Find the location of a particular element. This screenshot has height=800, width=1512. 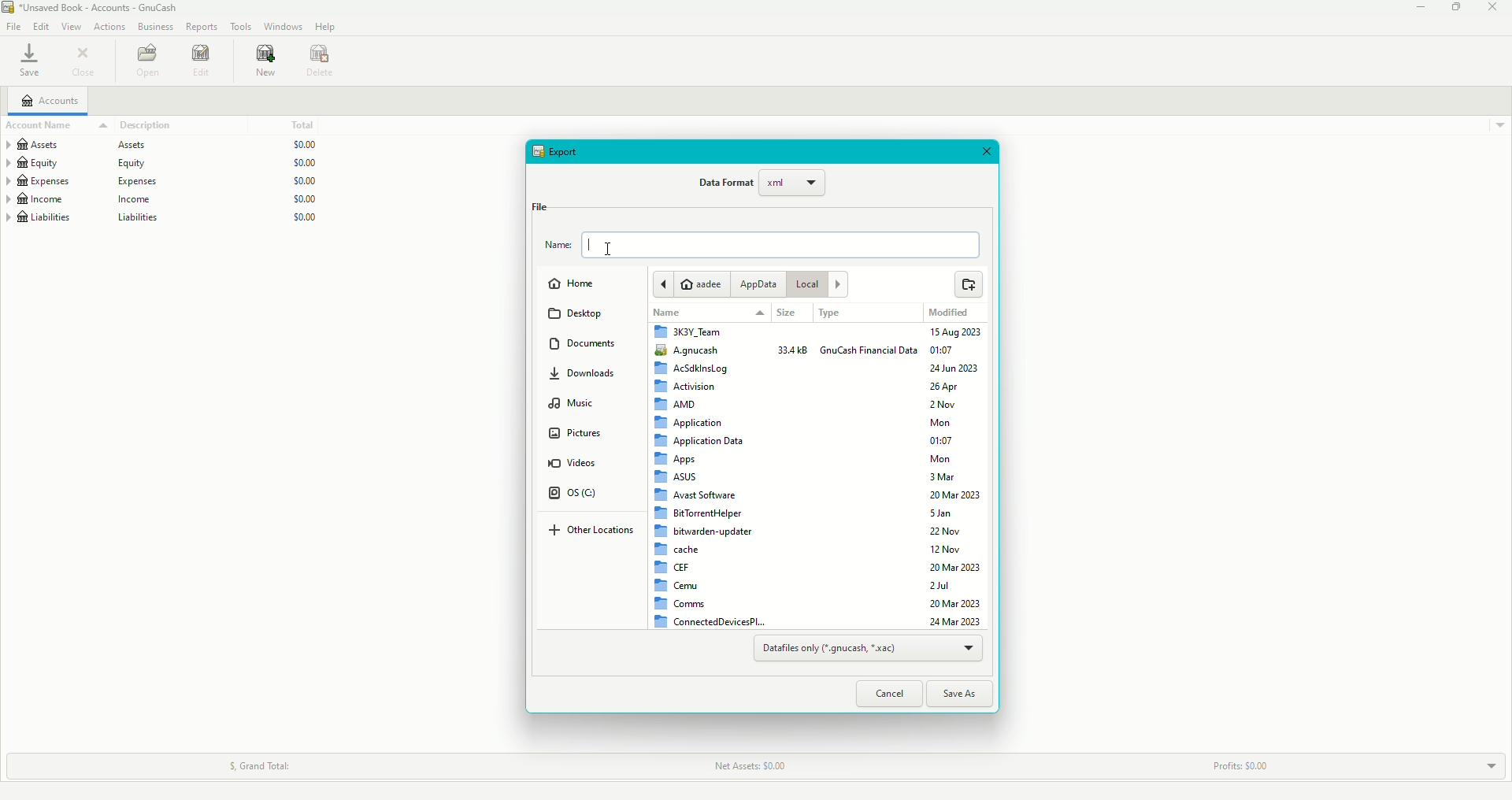

Actions is located at coordinates (108, 28).